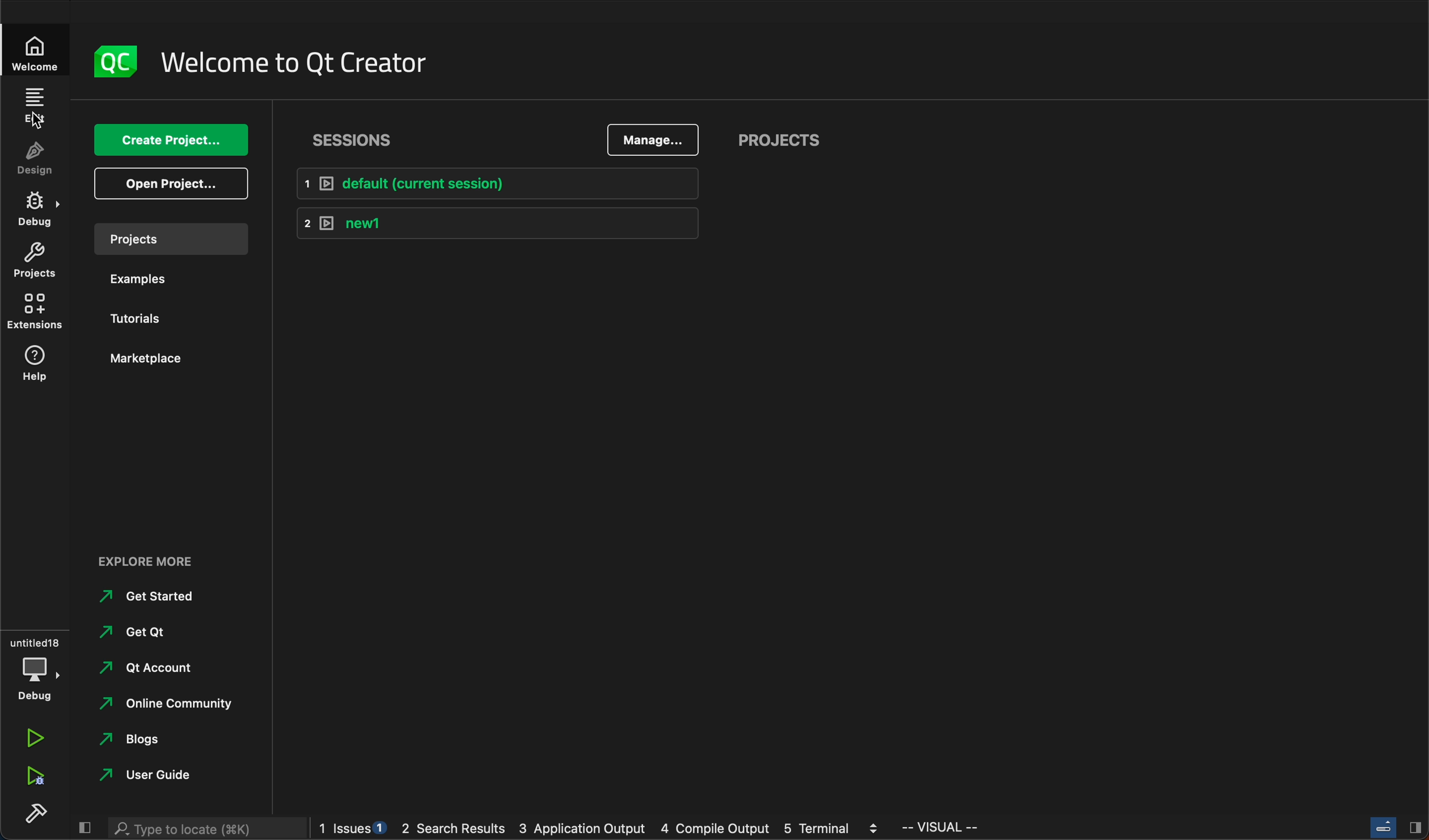 This screenshot has width=1429, height=840. I want to click on debug, so click(38, 210).